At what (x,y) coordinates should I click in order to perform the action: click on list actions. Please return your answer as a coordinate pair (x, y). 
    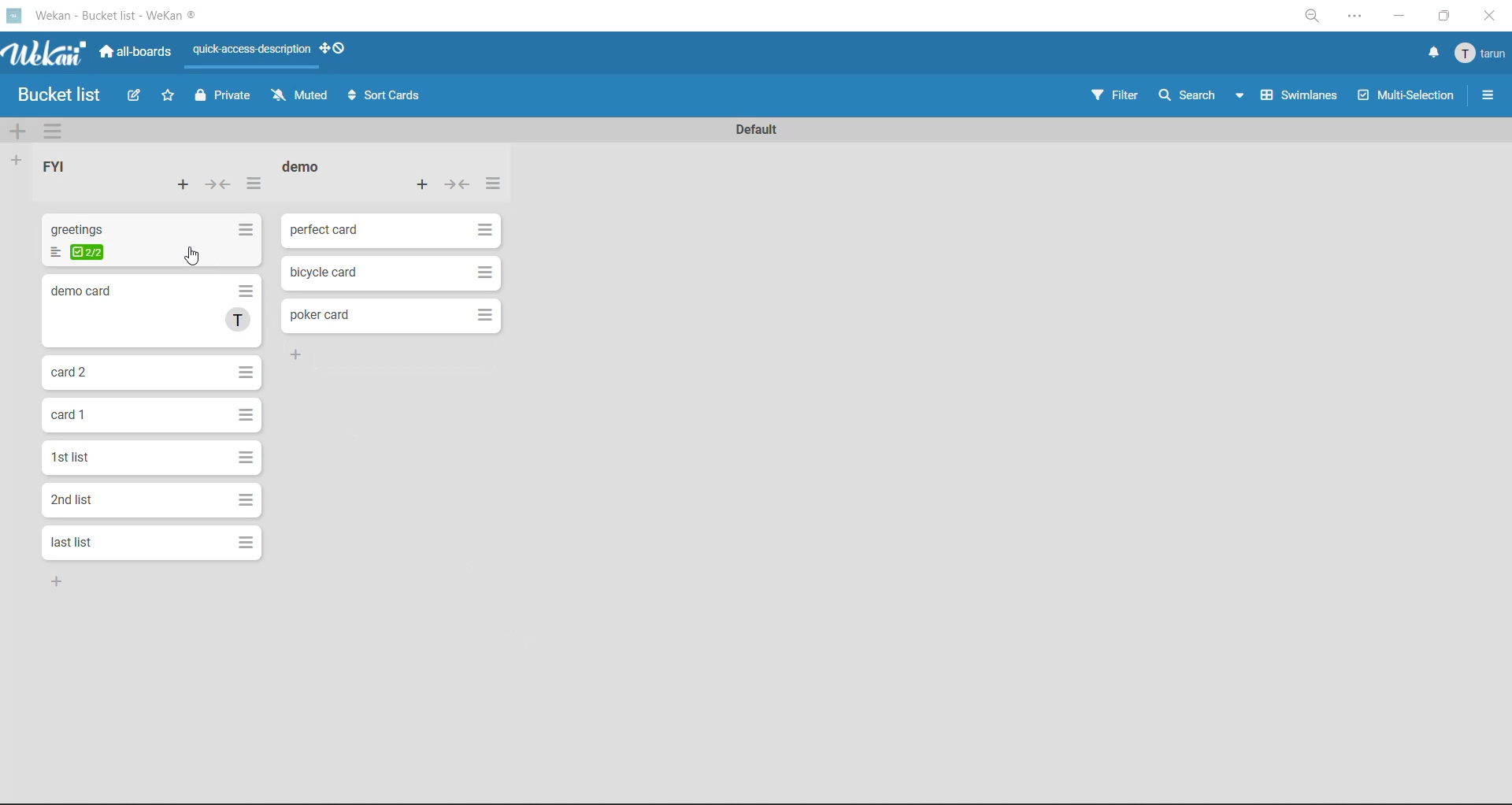
    Looking at the image, I should click on (256, 187).